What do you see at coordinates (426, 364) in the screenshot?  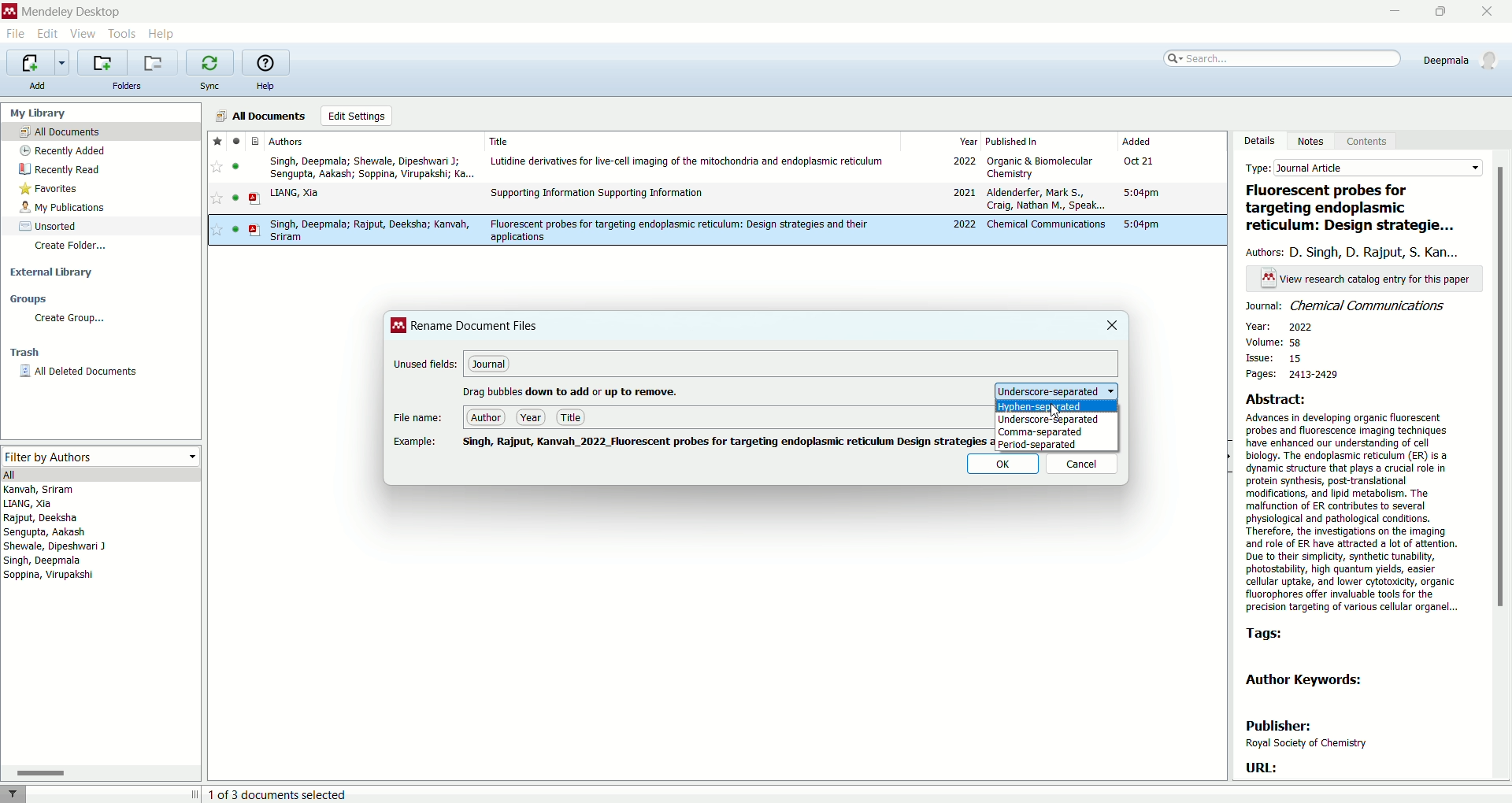 I see `unused fields` at bounding box center [426, 364].